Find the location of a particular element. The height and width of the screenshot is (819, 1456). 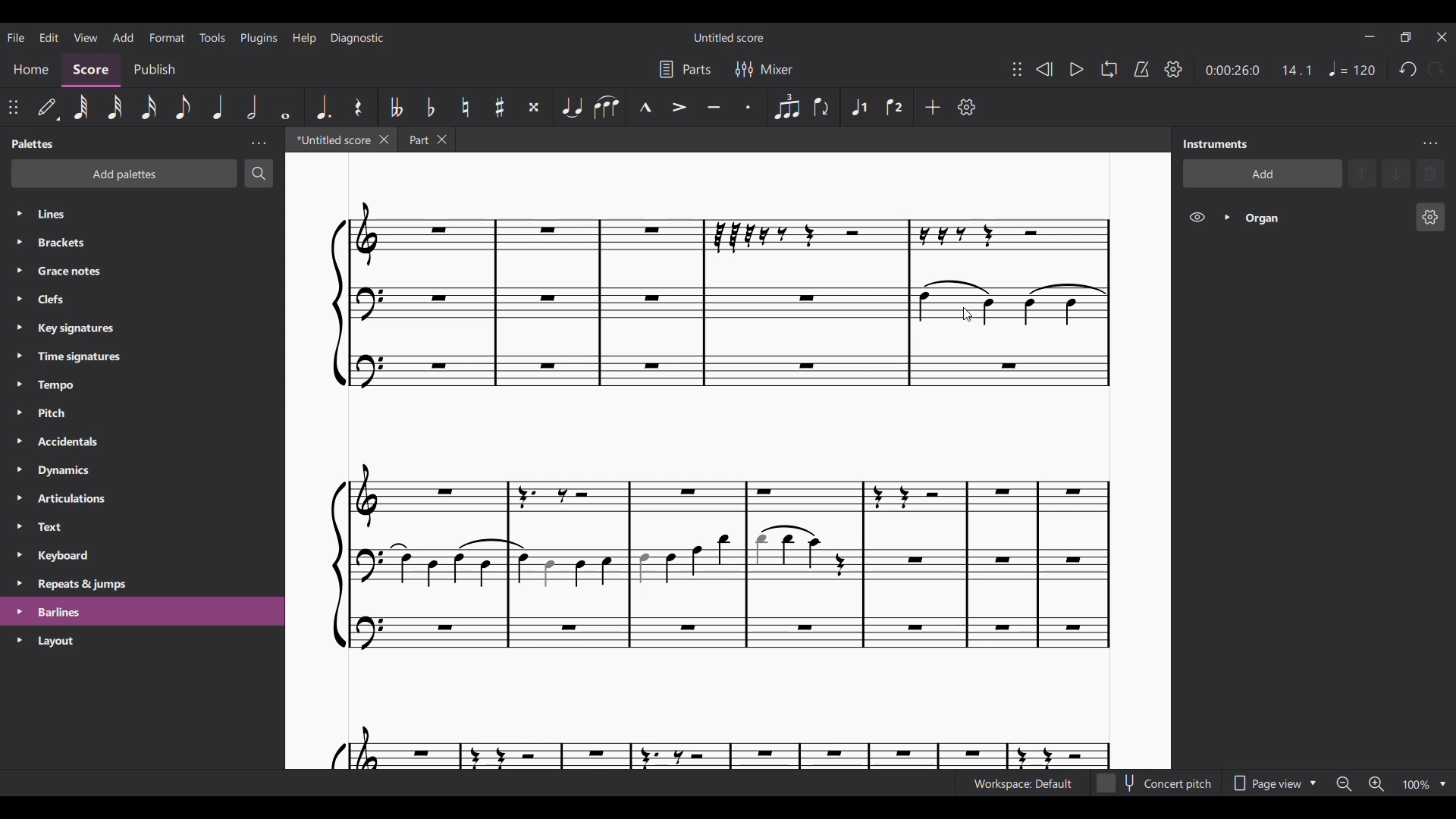

Minimize is located at coordinates (1370, 36).